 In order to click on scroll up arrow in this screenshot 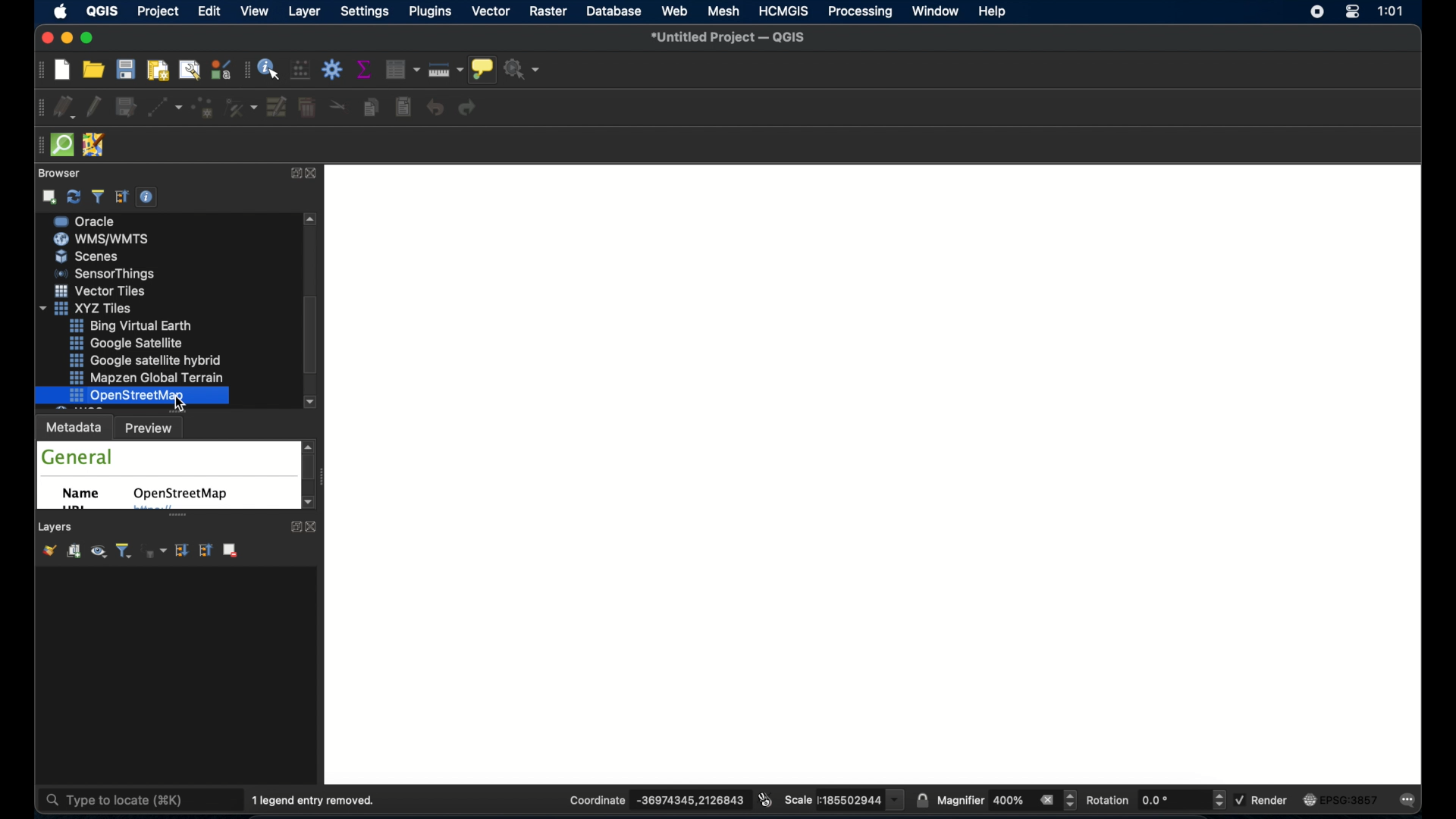, I will do `click(310, 445)`.